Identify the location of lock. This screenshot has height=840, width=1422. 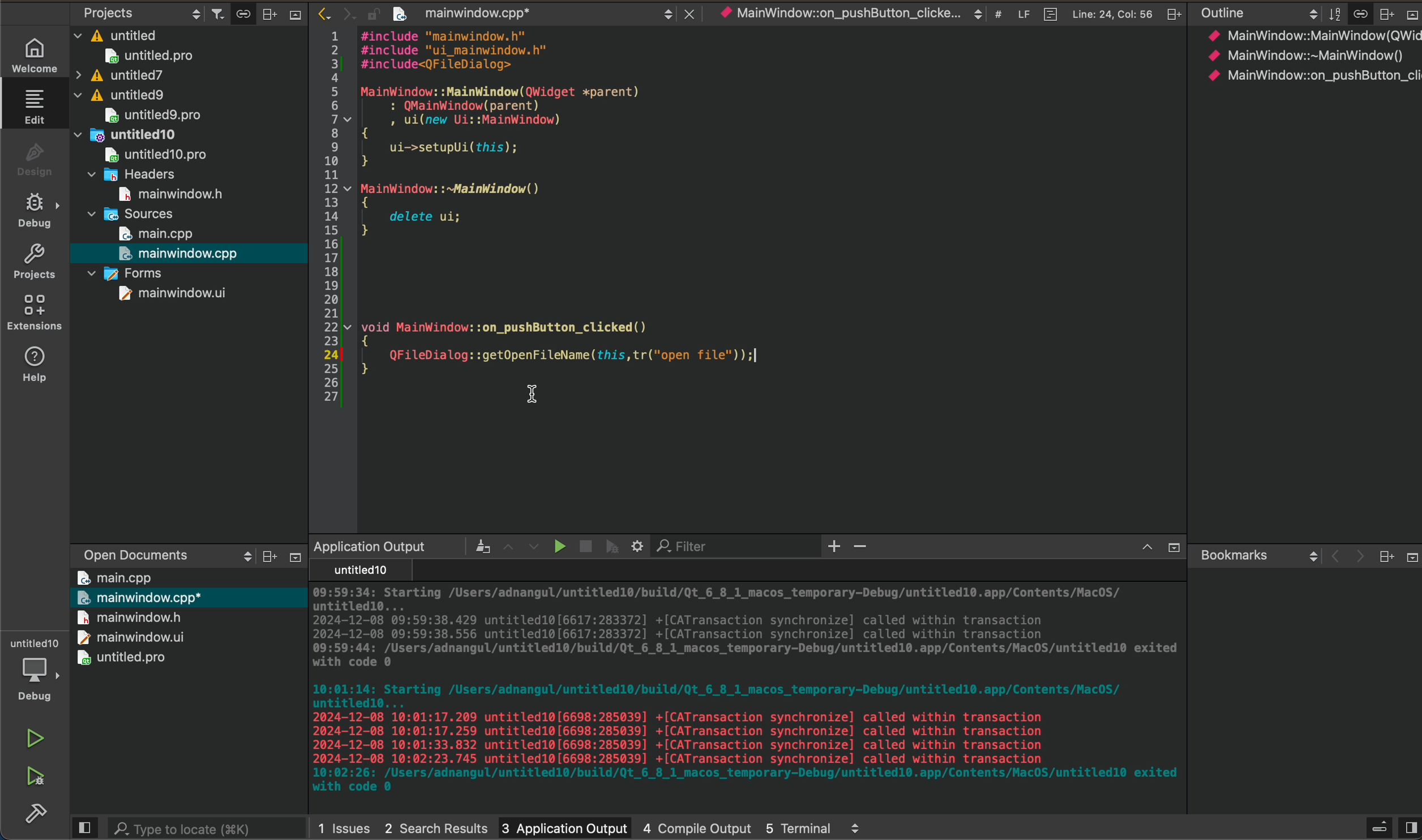
(367, 11).